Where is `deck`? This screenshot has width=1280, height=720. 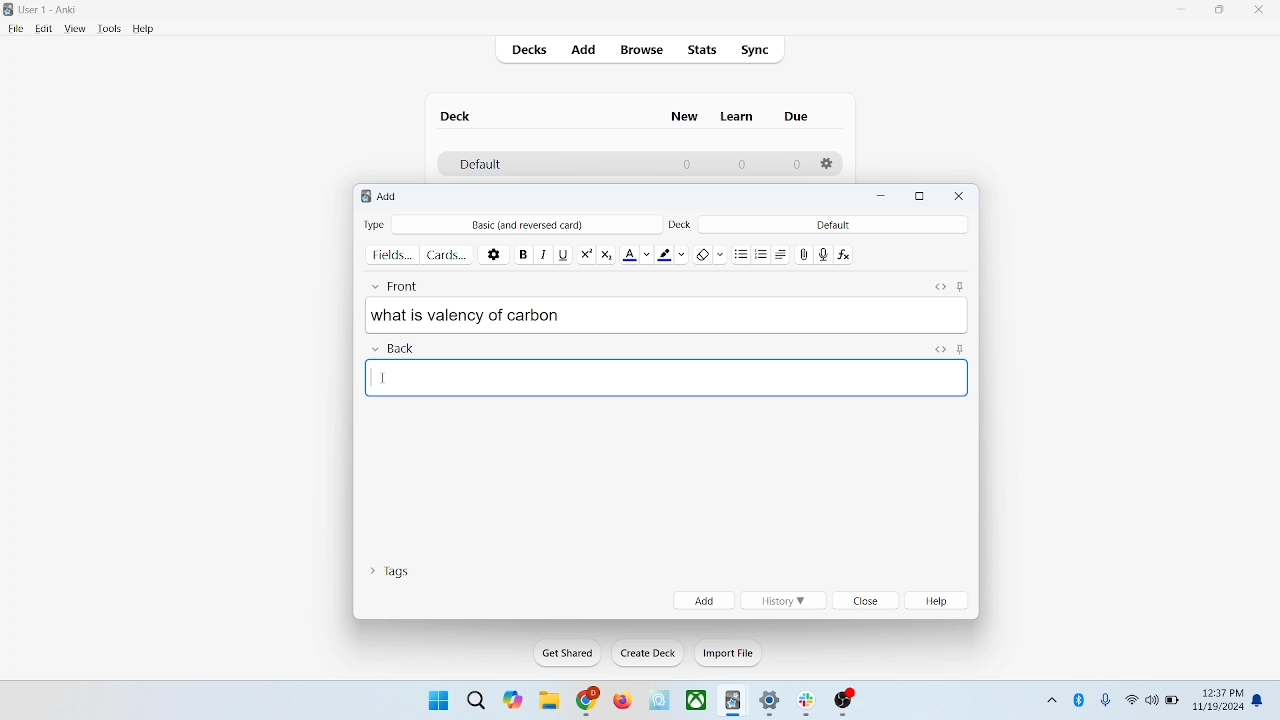
deck is located at coordinates (458, 116).